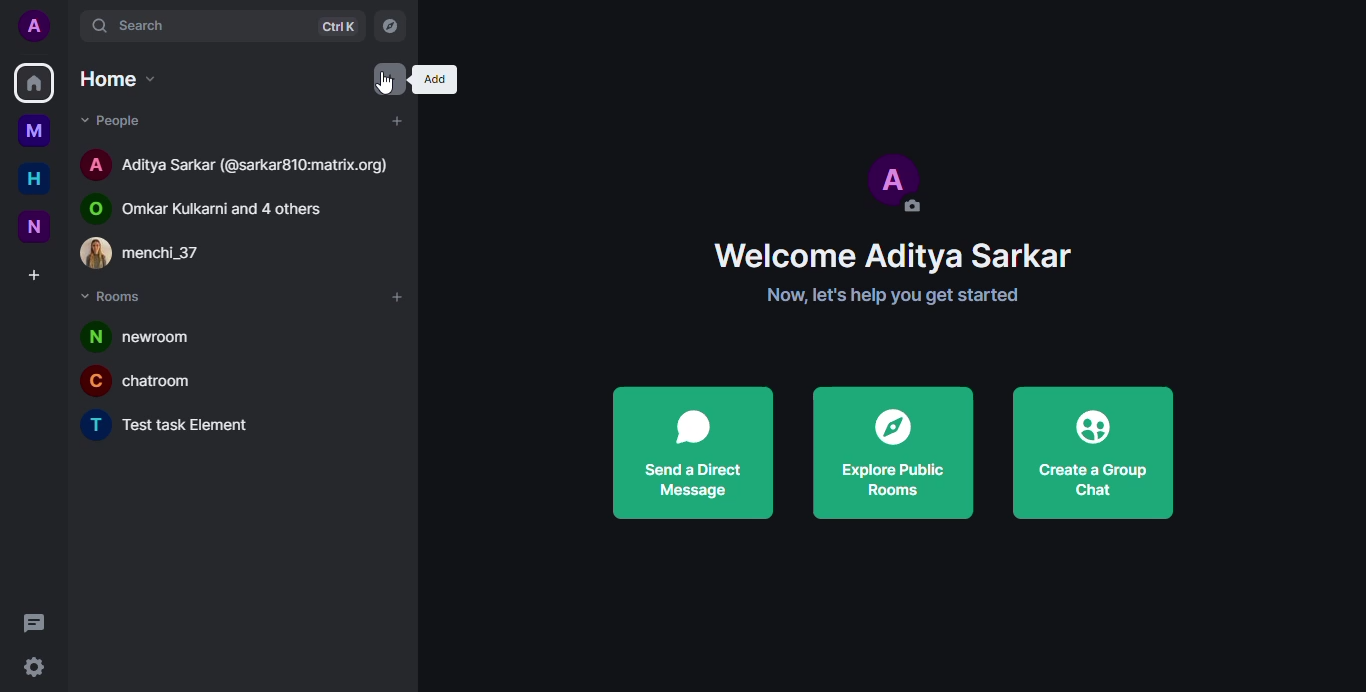  I want to click on home, so click(34, 82).